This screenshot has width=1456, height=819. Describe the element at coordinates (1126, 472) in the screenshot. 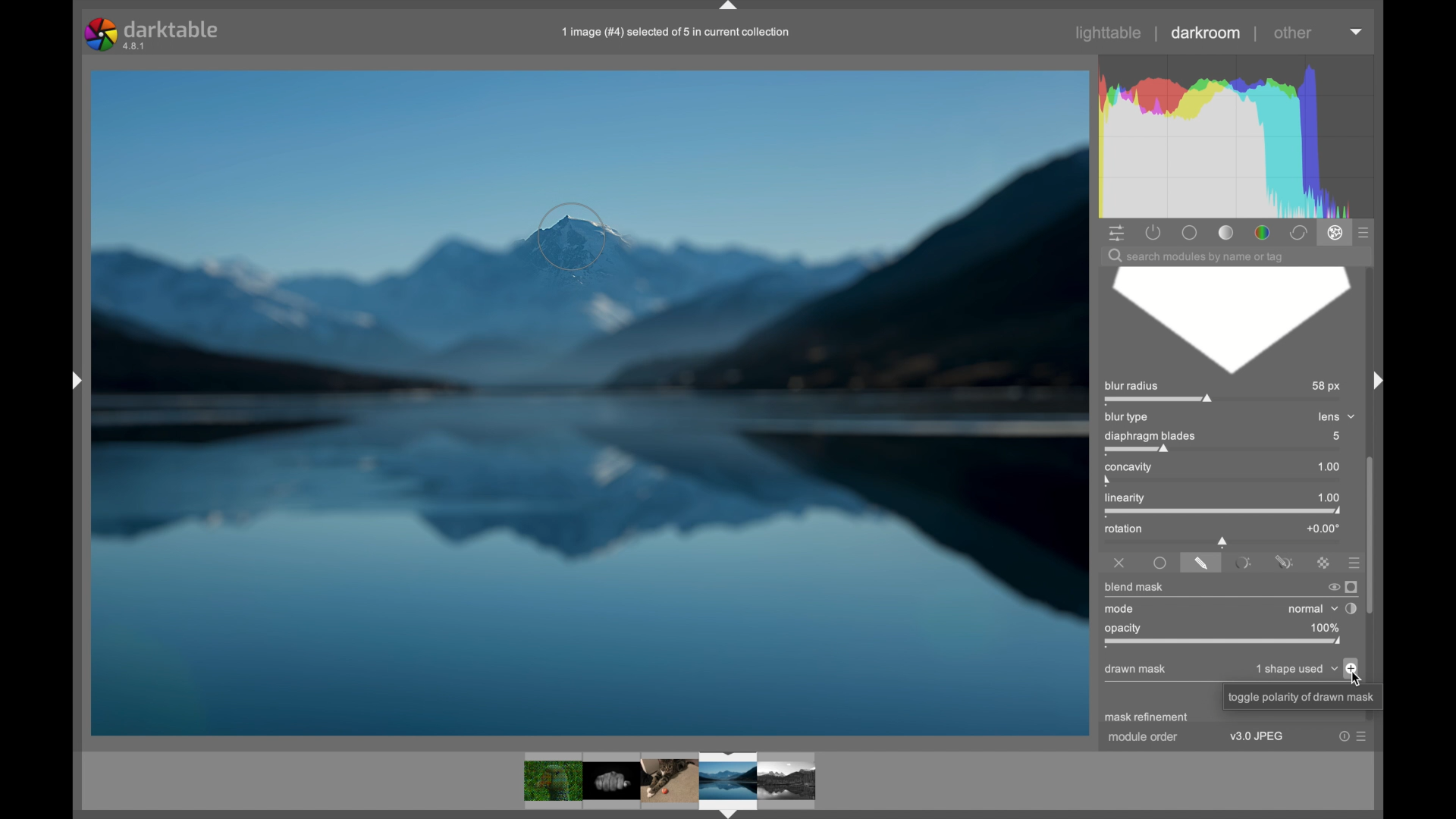

I see `concavity` at that location.